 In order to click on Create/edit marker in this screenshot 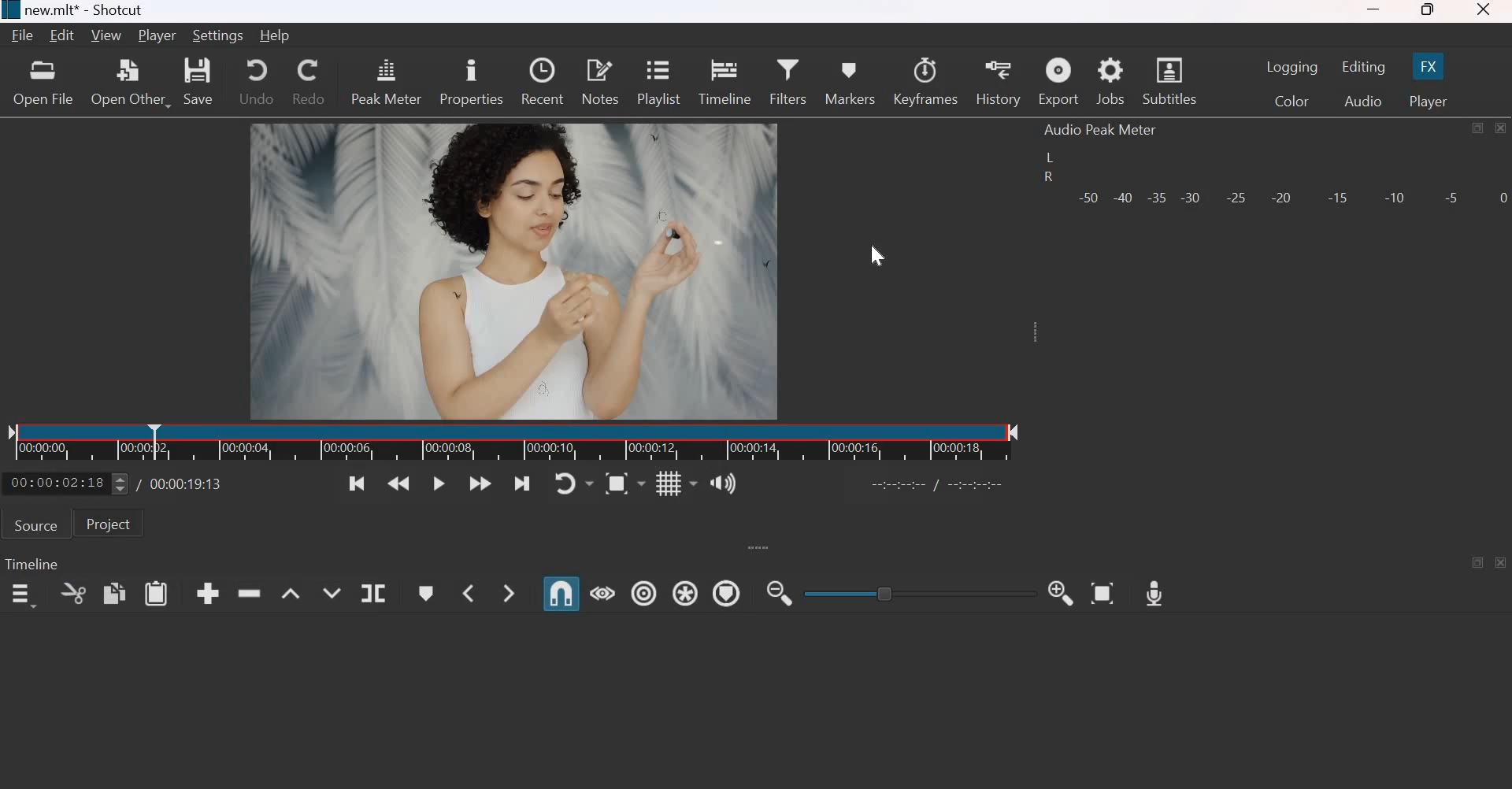, I will do `click(424, 592)`.